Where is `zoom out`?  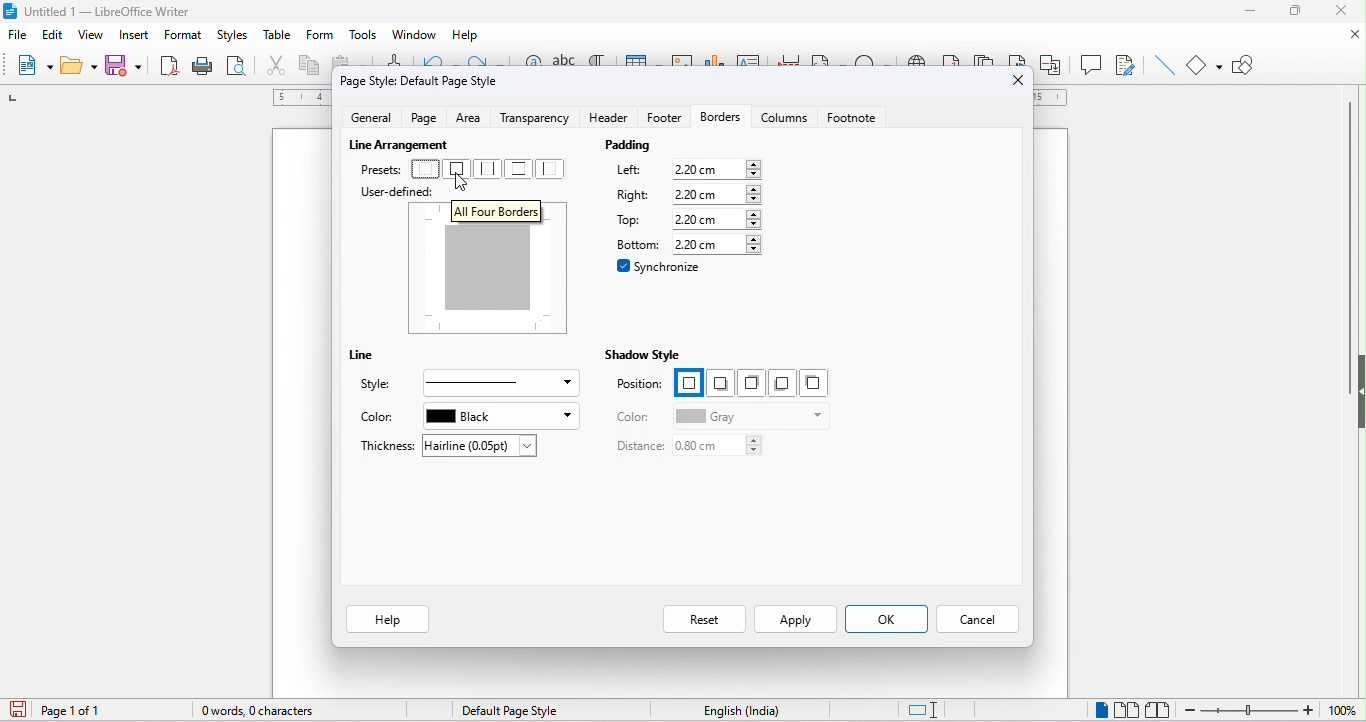
zoom out is located at coordinates (1250, 709).